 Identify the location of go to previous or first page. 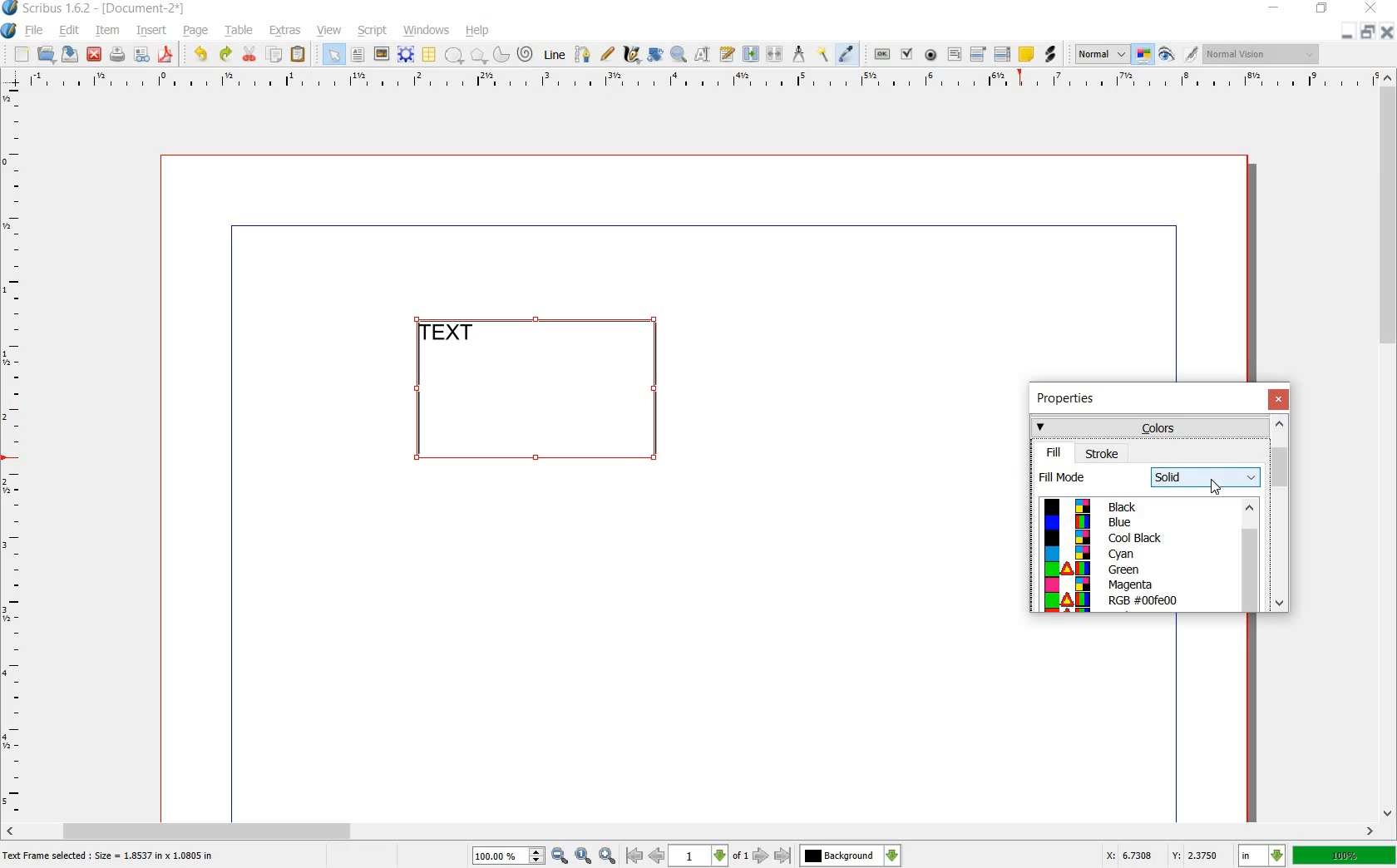
(644, 856).